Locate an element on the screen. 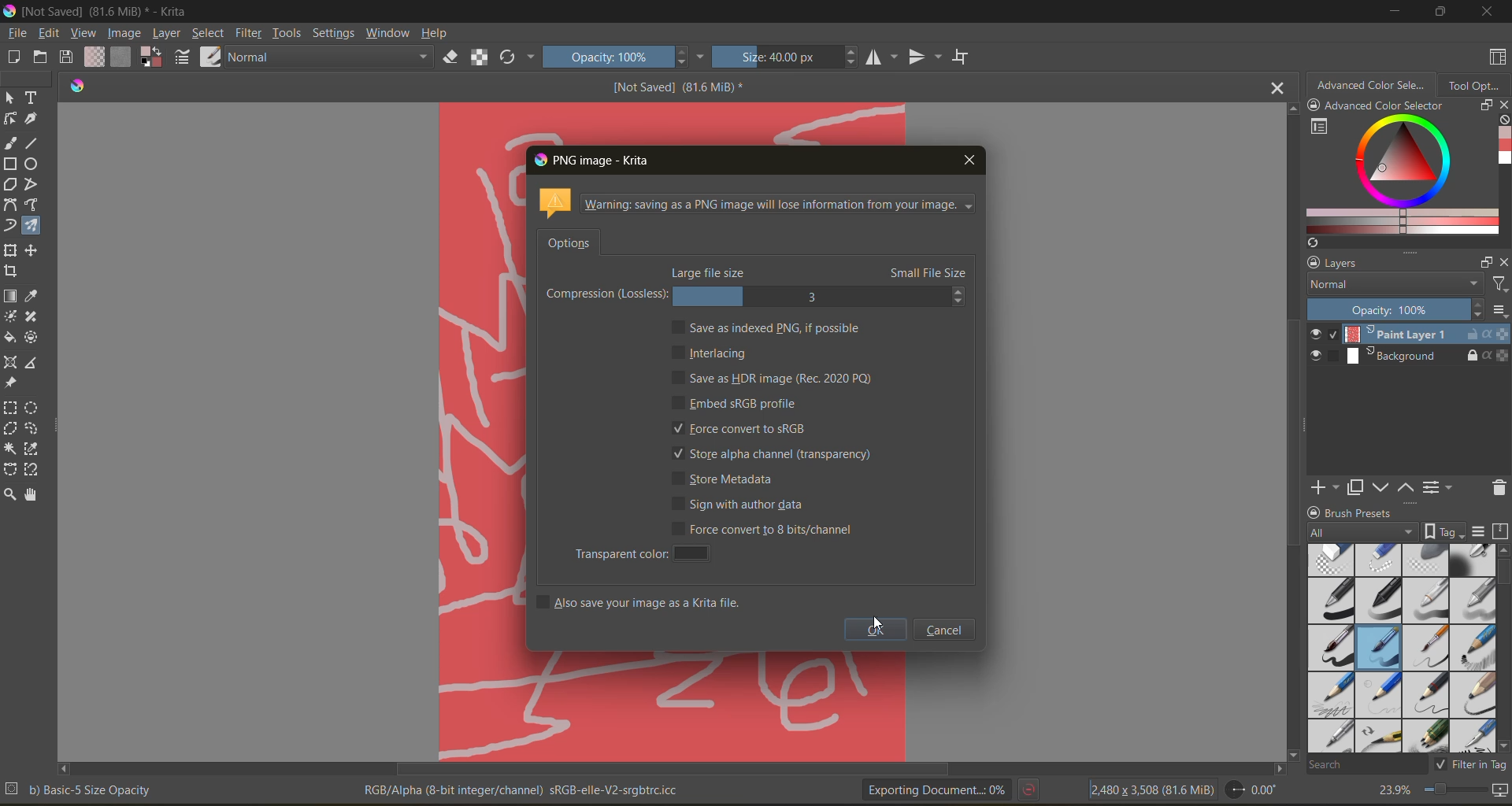  cancel is located at coordinates (943, 630).